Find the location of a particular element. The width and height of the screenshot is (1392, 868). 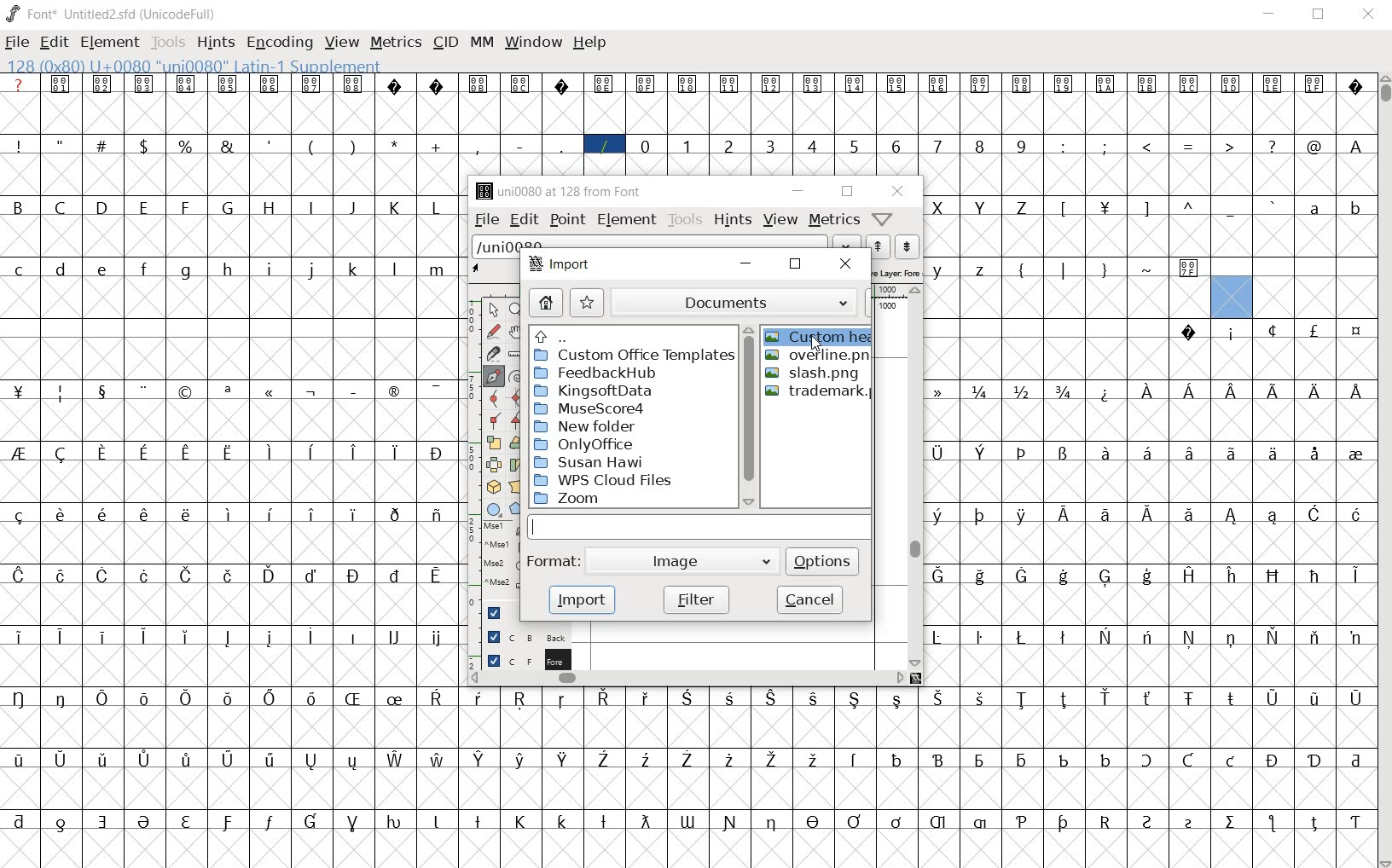

glyph is located at coordinates (353, 576).